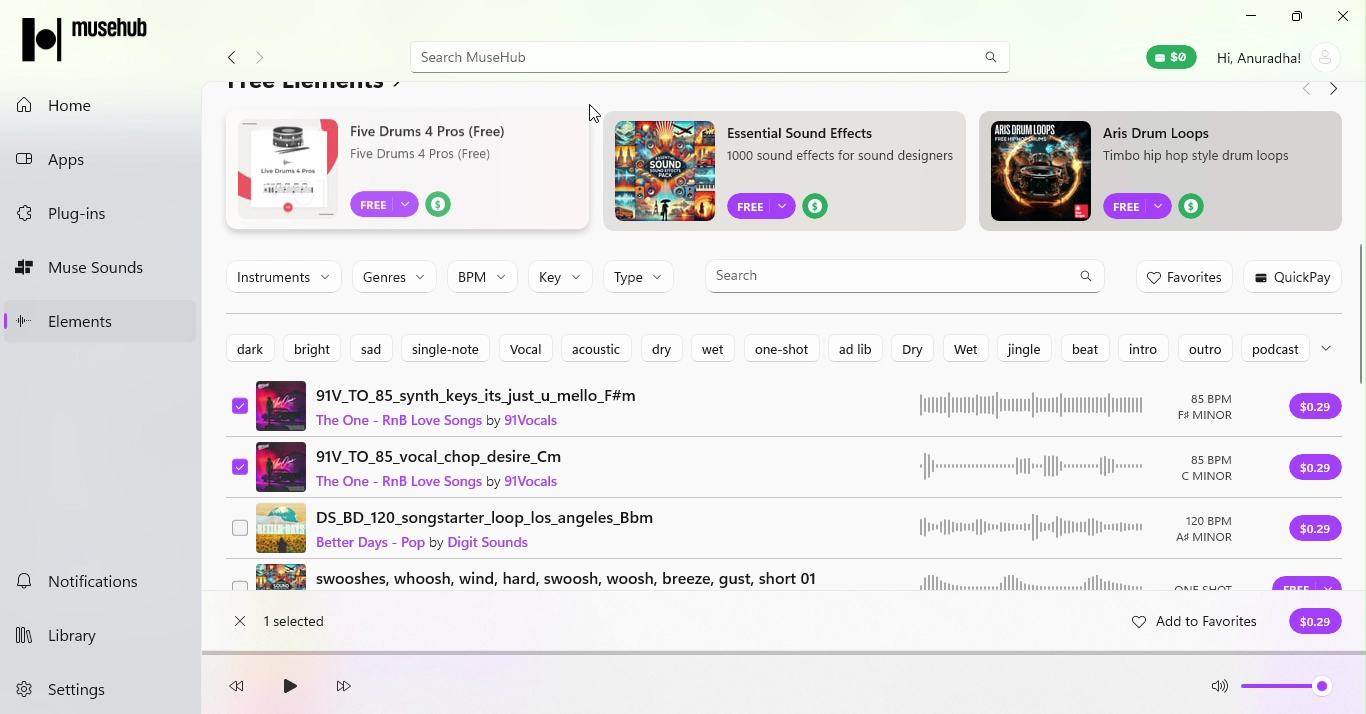 This screenshot has width=1366, height=714. What do you see at coordinates (1170, 57) in the screenshot?
I see `Muse Wallet` at bounding box center [1170, 57].